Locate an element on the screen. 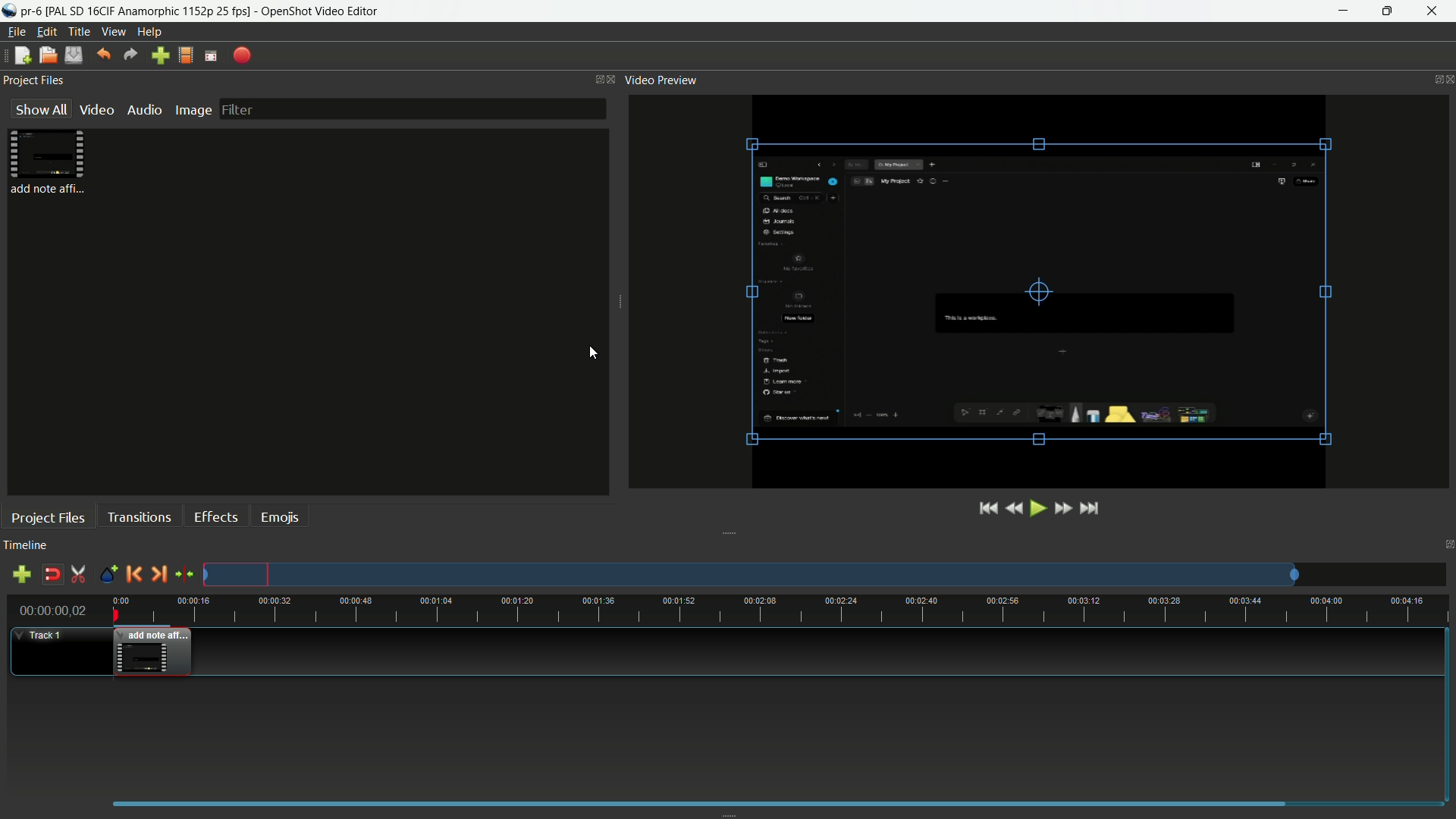  profile is located at coordinates (149, 11).